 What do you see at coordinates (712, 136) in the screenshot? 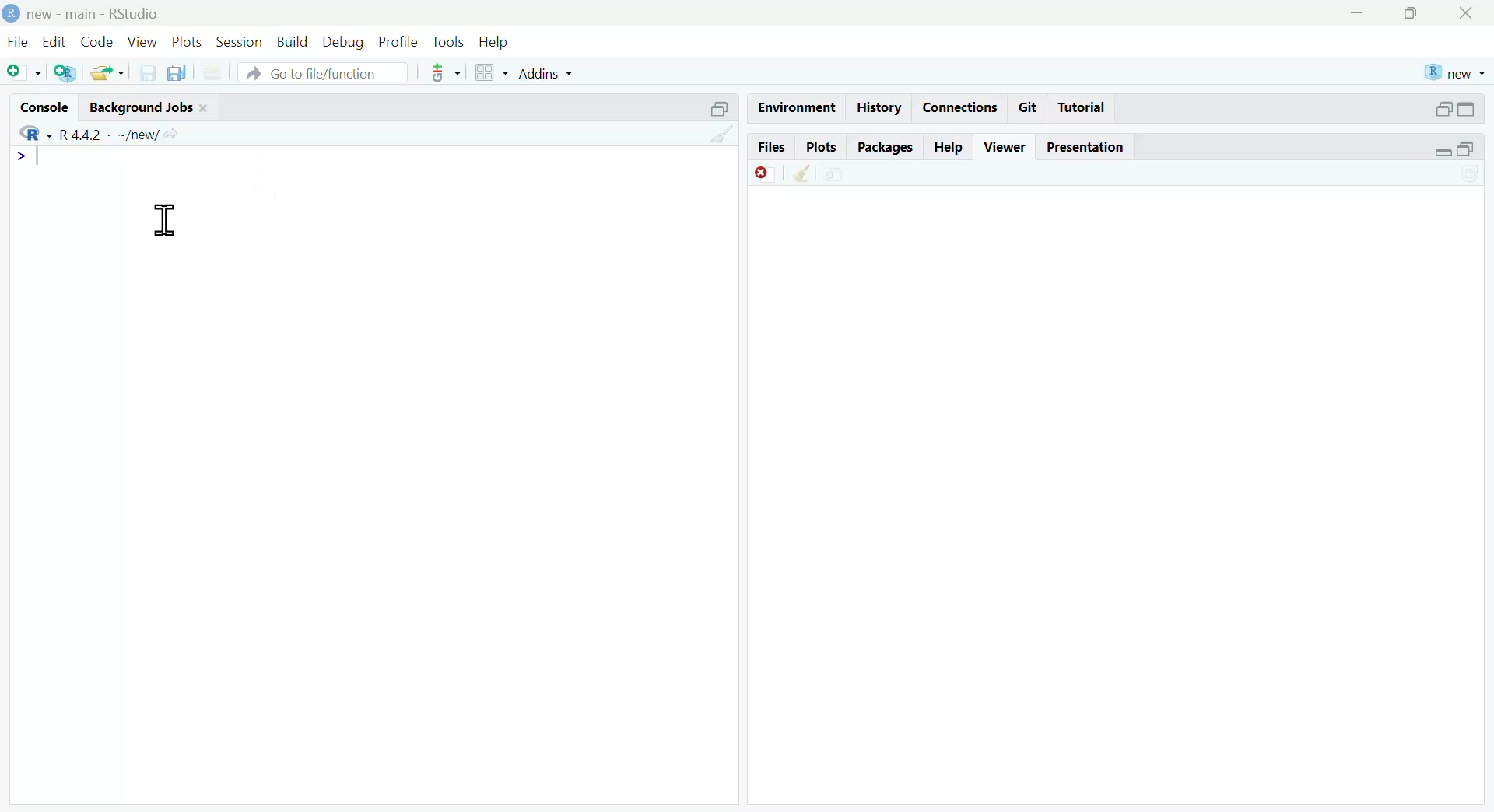
I see `Clear console` at bounding box center [712, 136].